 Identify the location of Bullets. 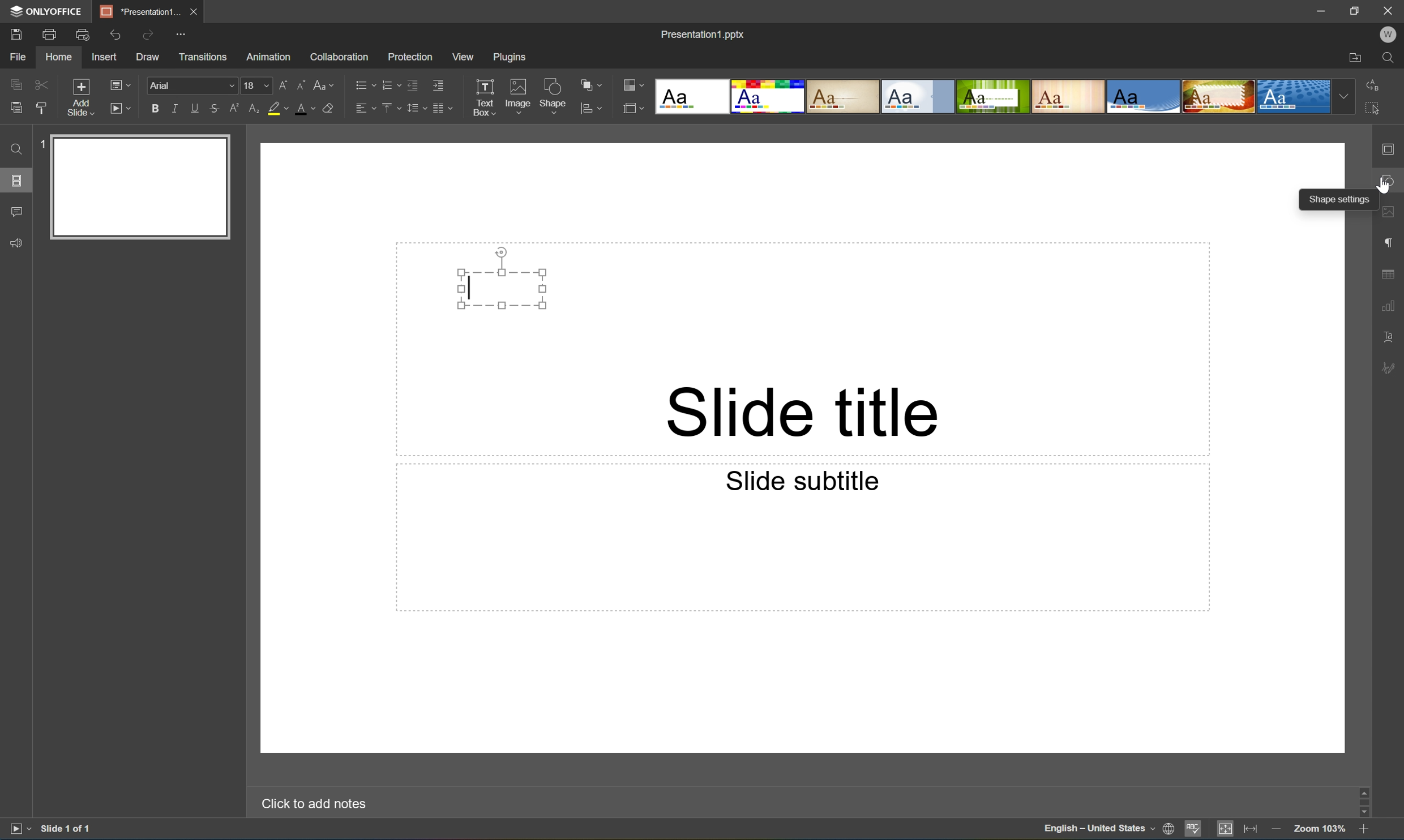
(362, 83).